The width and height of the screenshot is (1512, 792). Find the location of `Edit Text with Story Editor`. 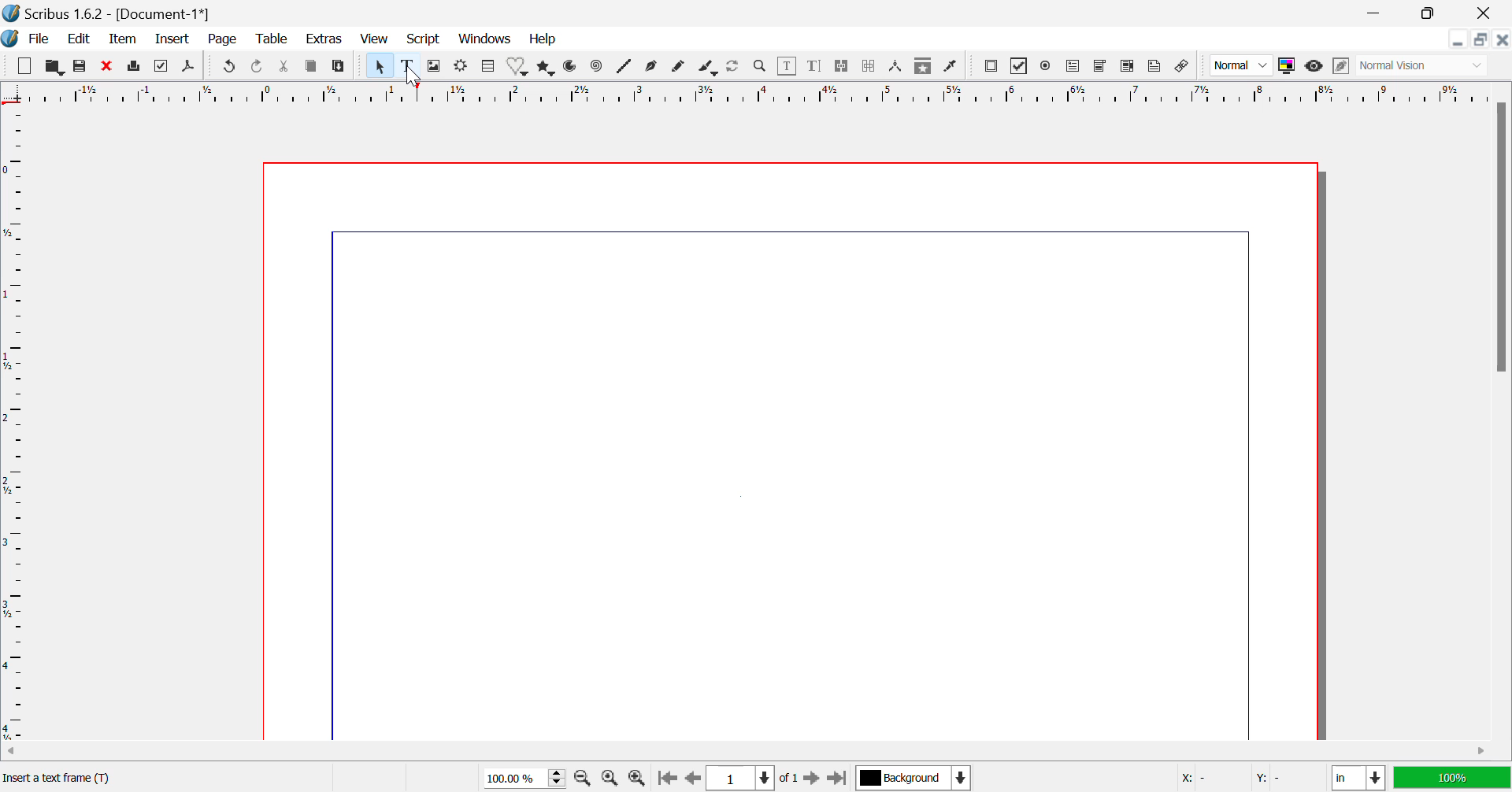

Edit Text with Story Editor is located at coordinates (816, 68).